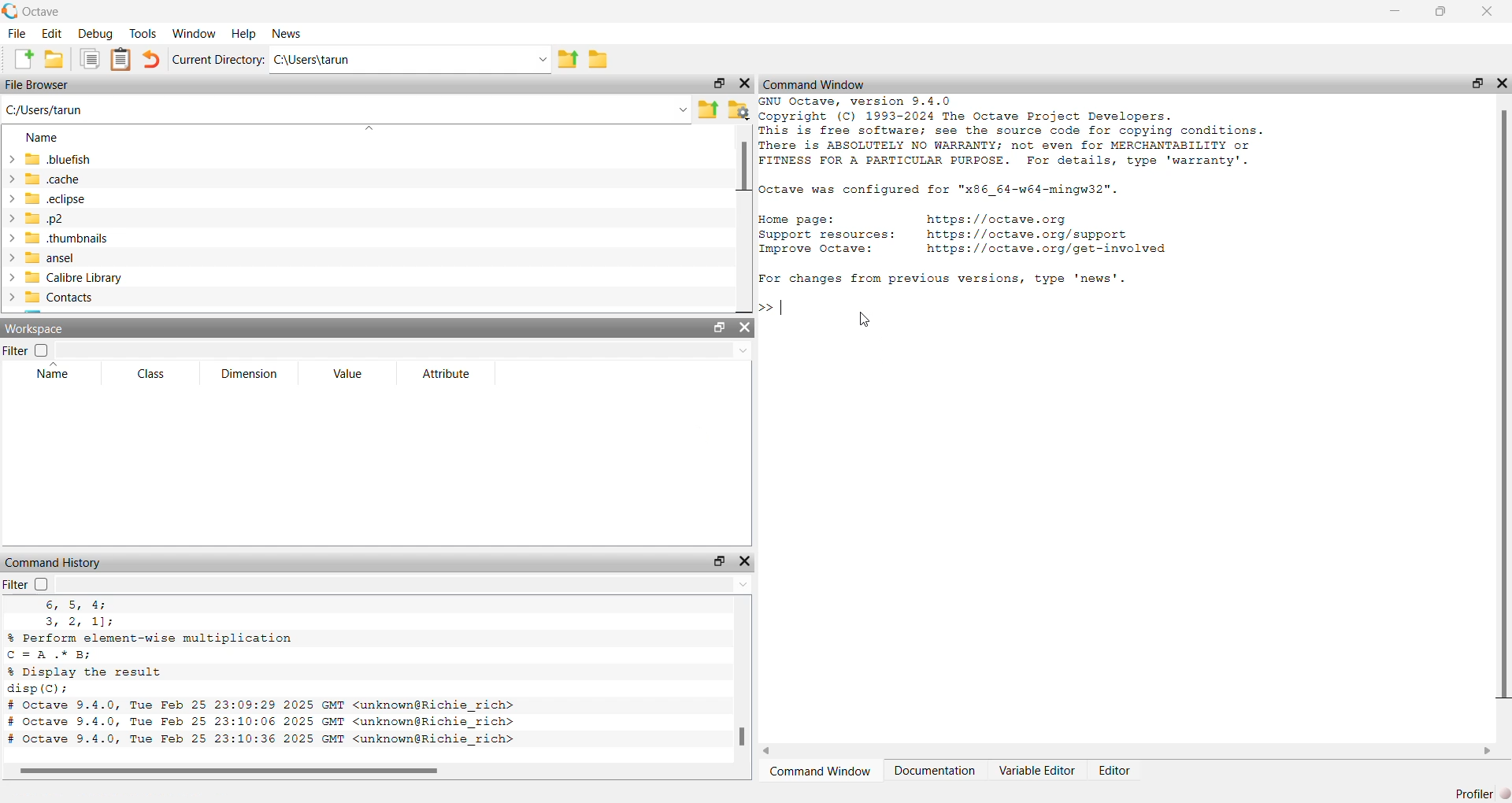 The width and height of the screenshot is (1512, 803). I want to click on Name, so click(43, 137).